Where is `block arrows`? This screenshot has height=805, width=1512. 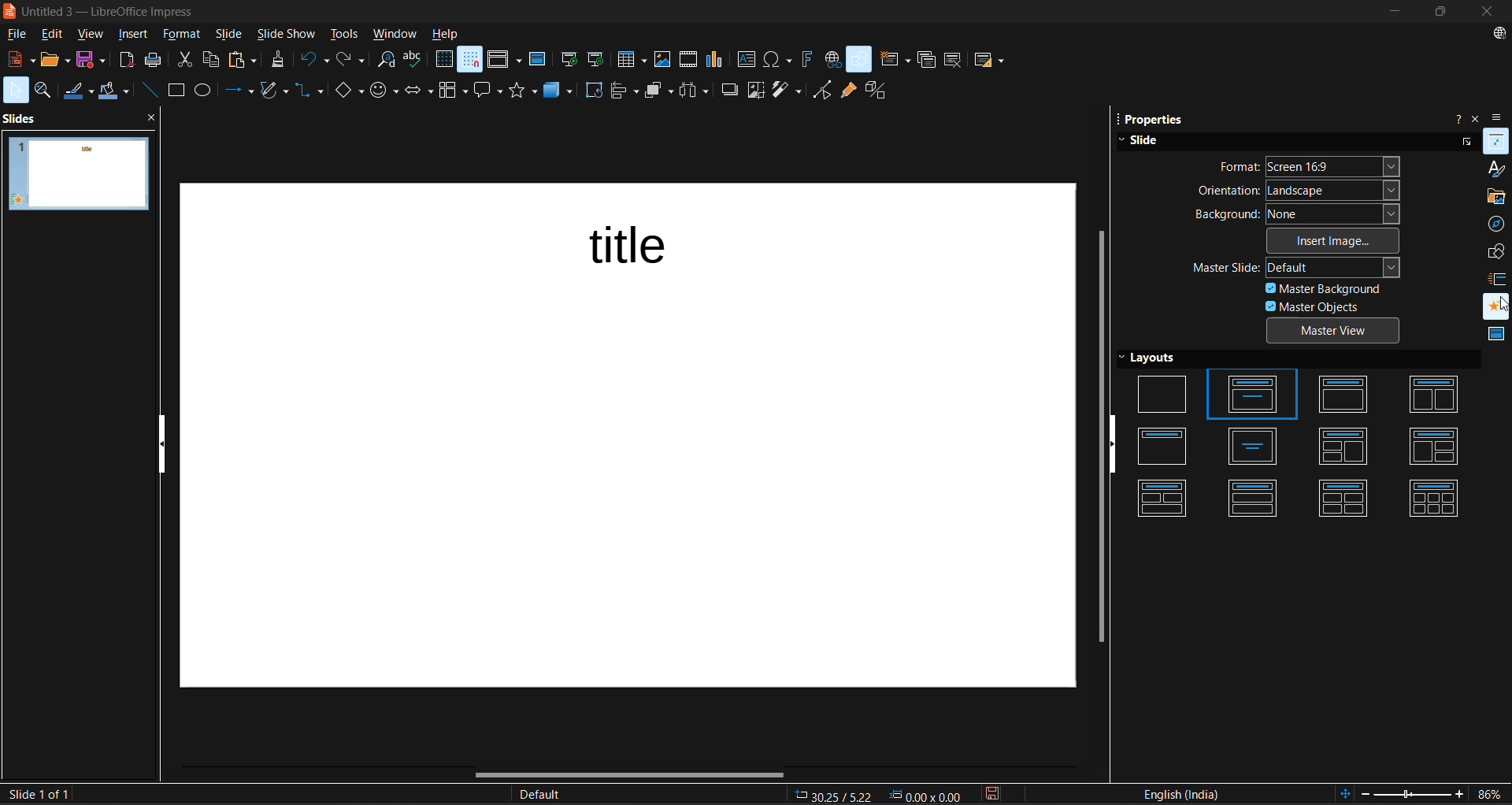 block arrows is located at coordinates (421, 92).